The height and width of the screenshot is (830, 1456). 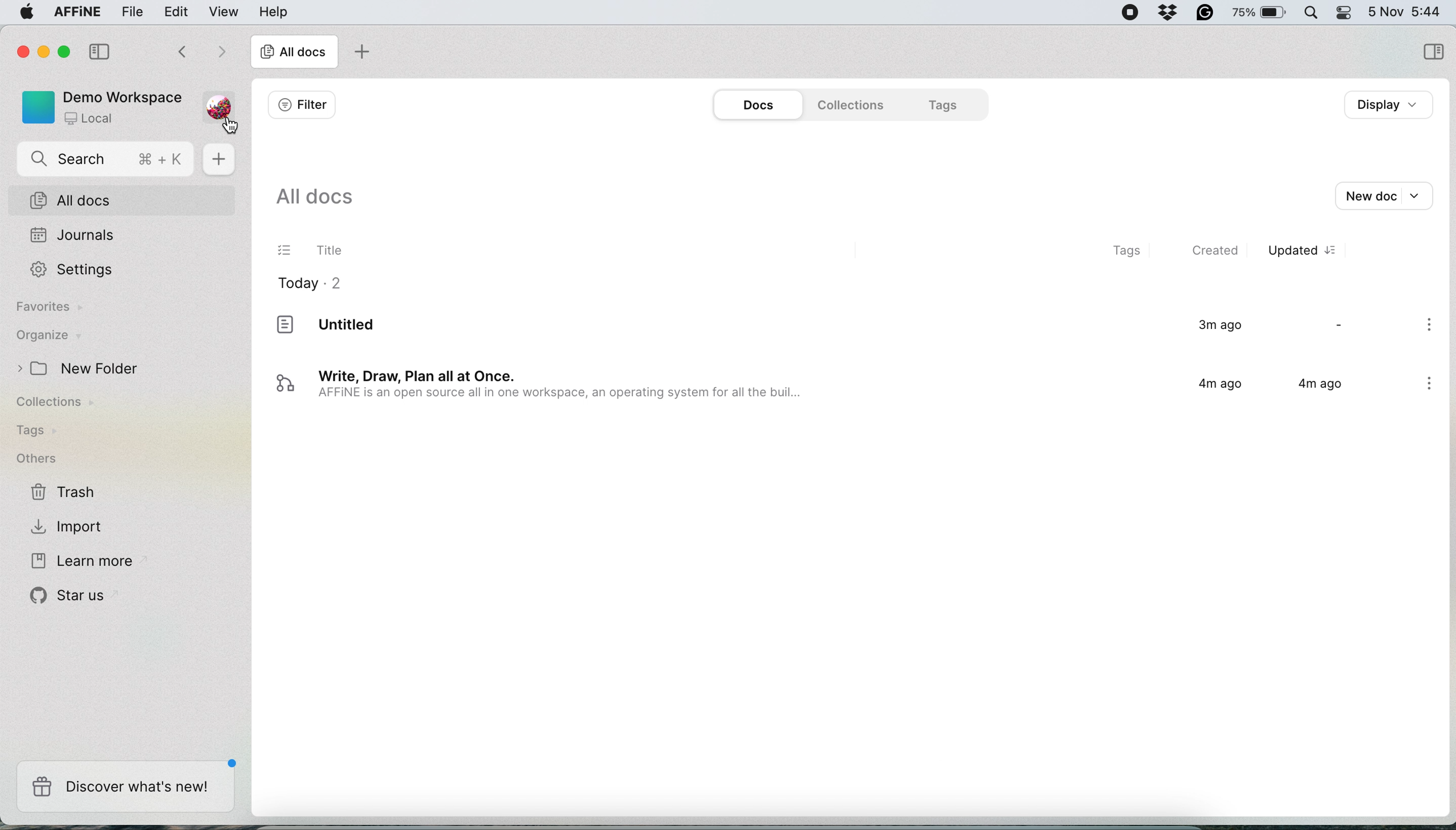 I want to click on discover what's new, so click(x=125, y=787).